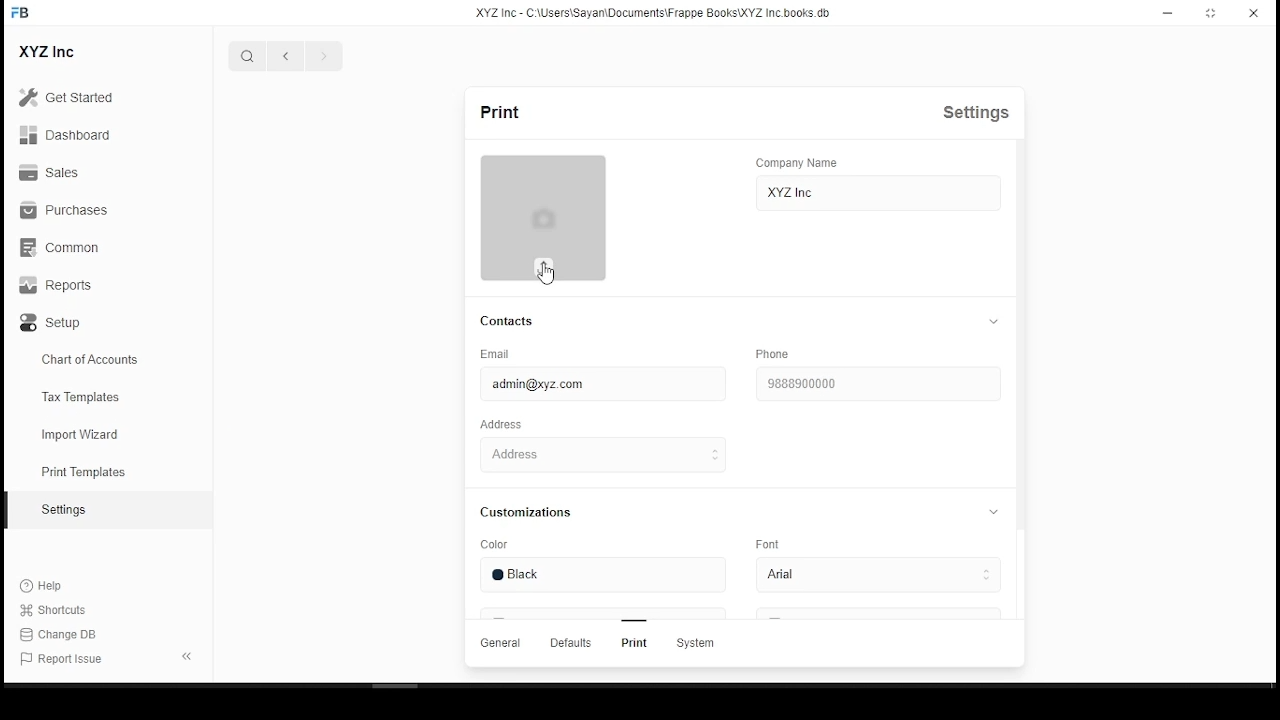 The image size is (1280, 720). I want to click on Settings, so click(972, 112).